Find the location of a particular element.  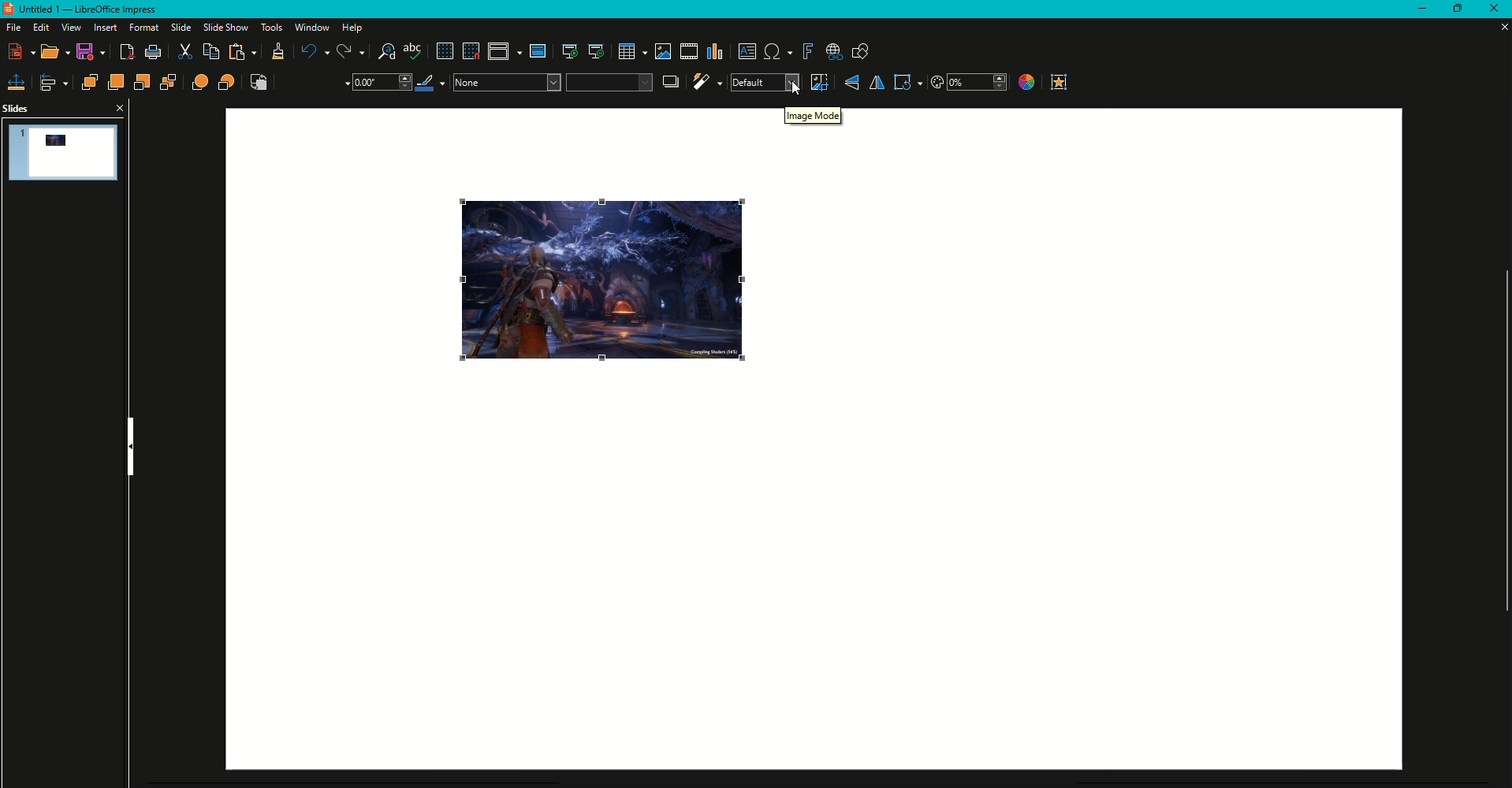

Export as PDF is located at coordinates (128, 54).